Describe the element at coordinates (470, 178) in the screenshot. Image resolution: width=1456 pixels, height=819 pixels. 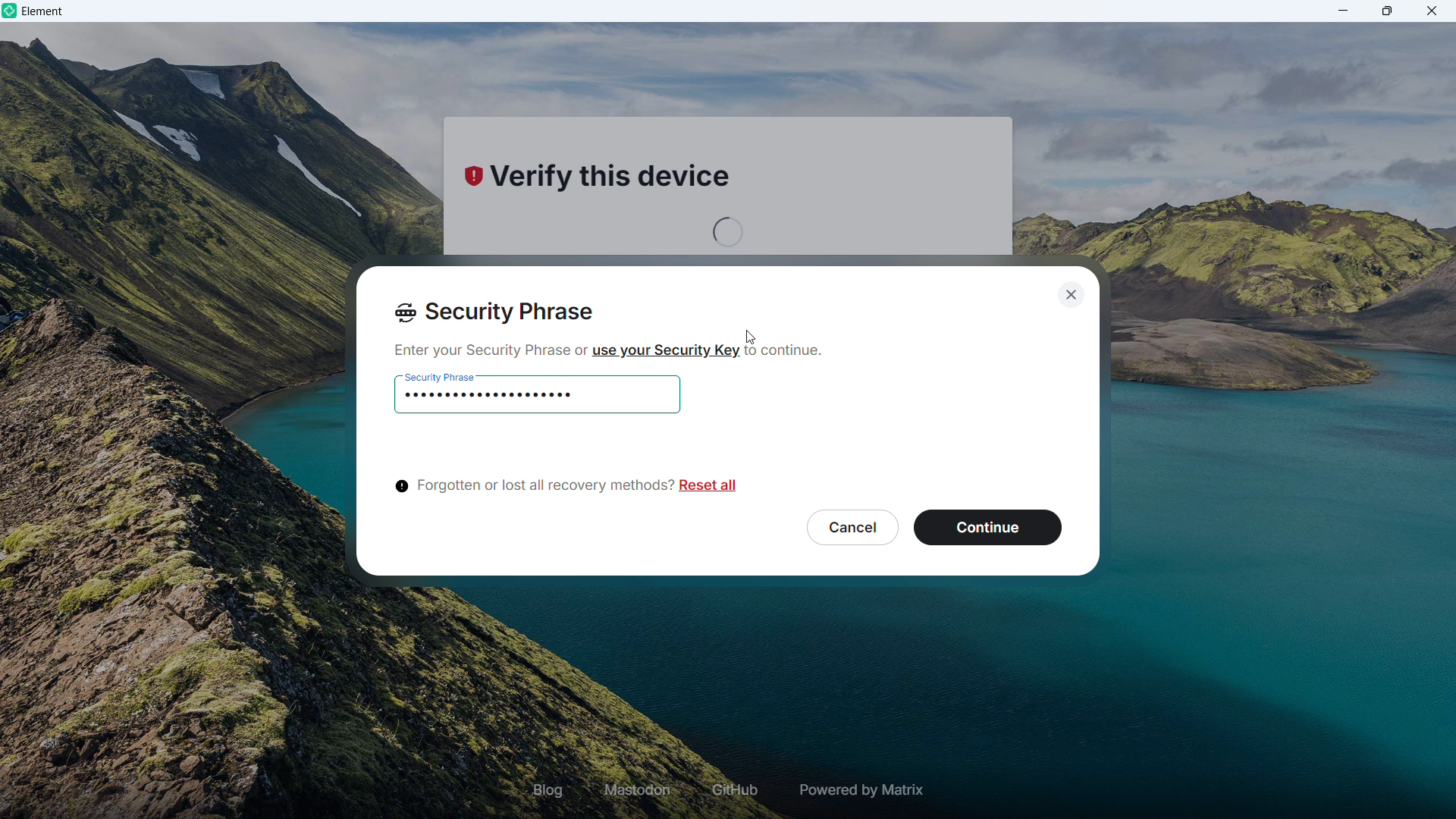
I see `verifying logo` at that location.